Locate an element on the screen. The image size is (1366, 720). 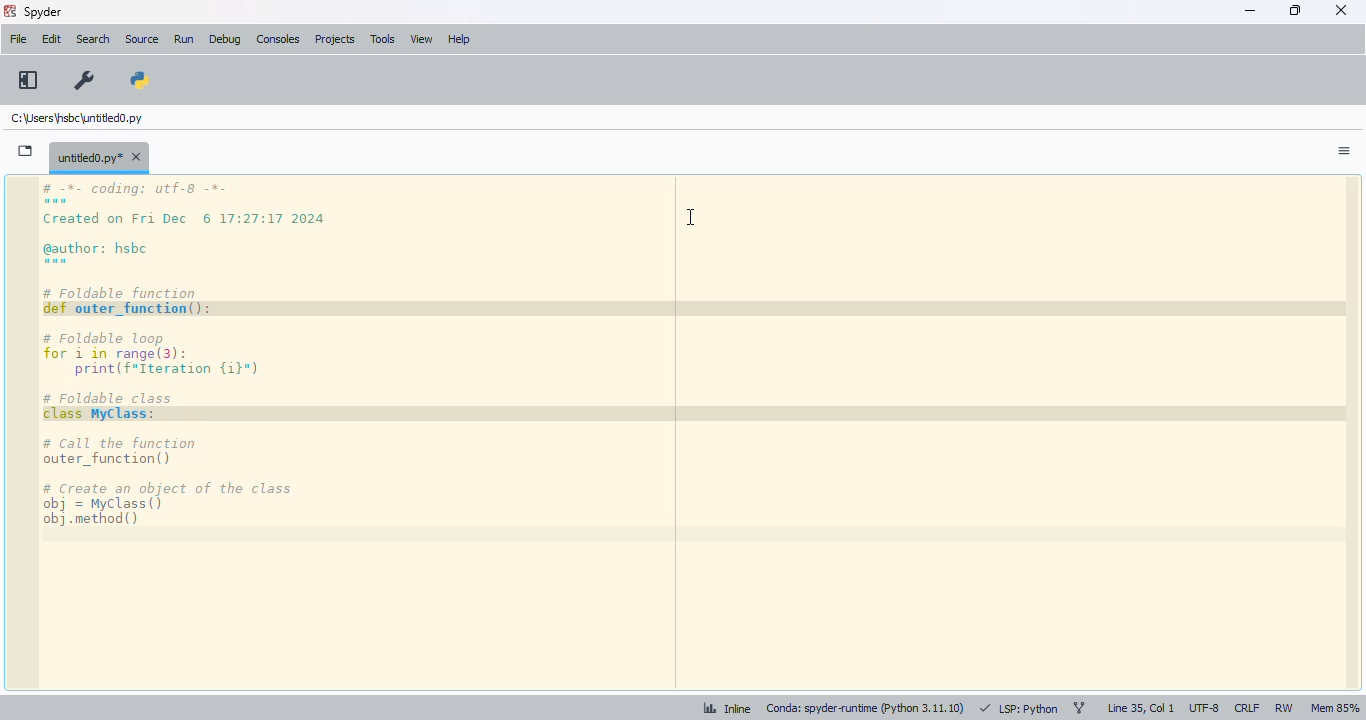
view is located at coordinates (422, 39).